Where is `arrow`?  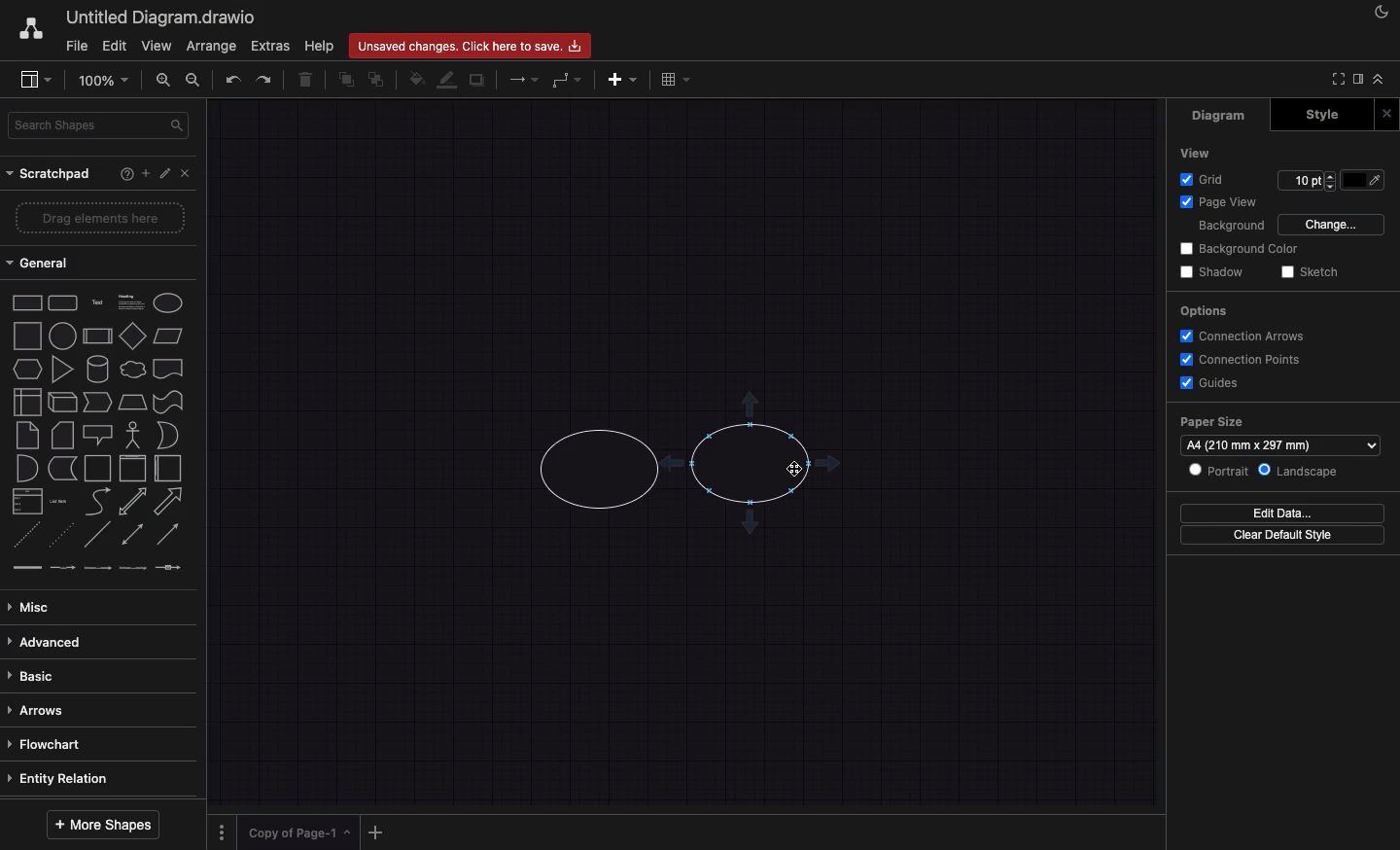
arrow is located at coordinates (170, 502).